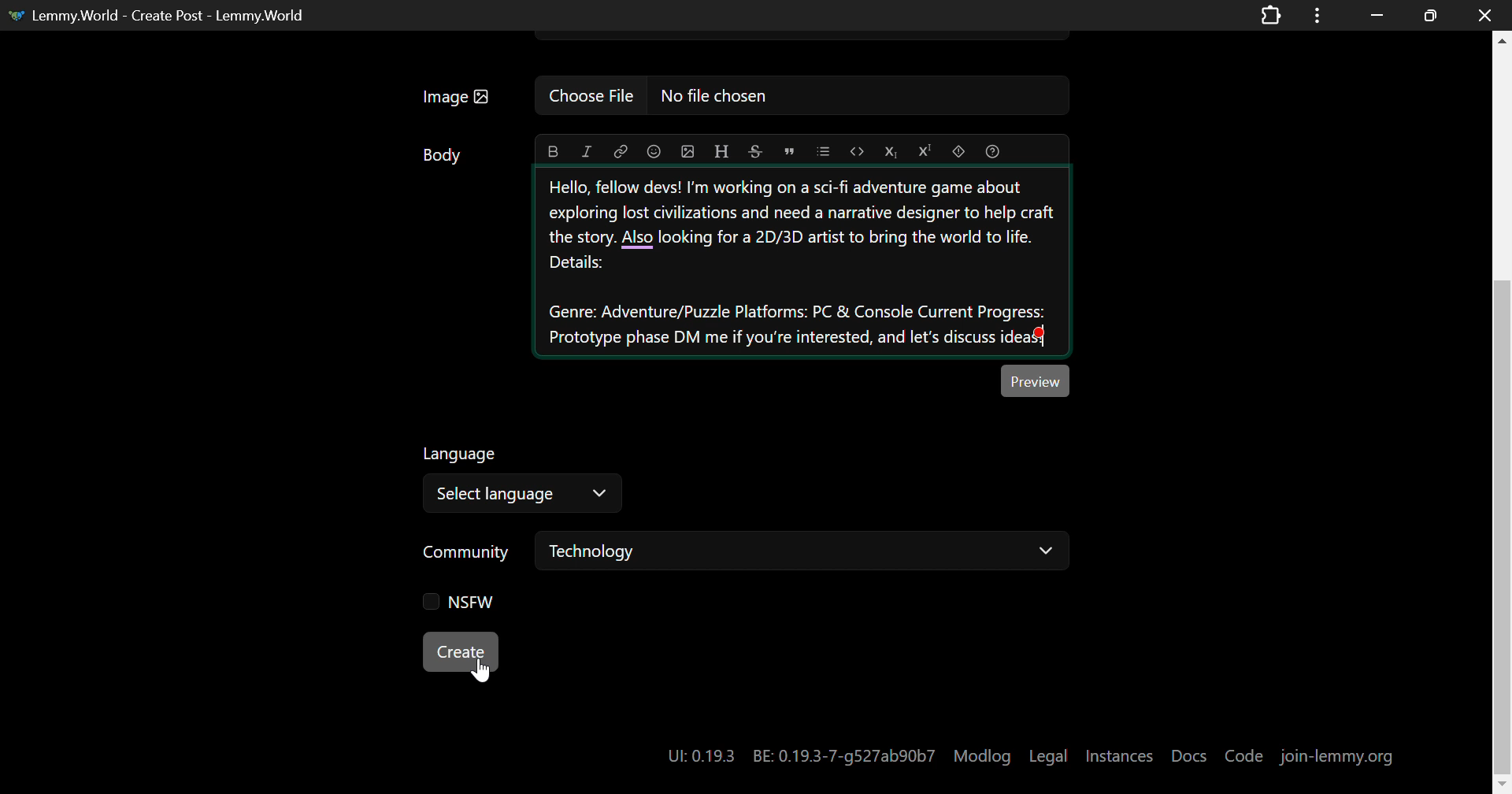  Describe the element at coordinates (983, 755) in the screenshot. I see `Modlog` at that location.